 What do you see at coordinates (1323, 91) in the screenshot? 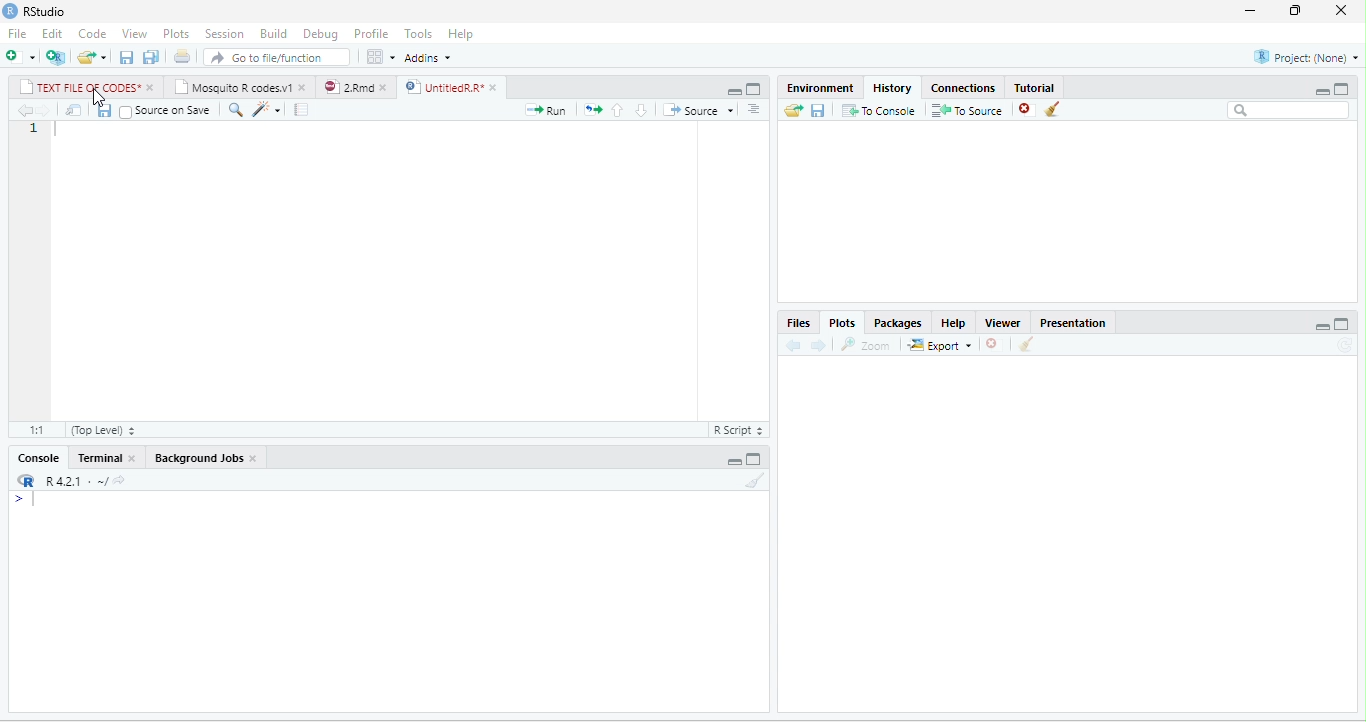
I see `minimize` at bounding box center [1323, 91].